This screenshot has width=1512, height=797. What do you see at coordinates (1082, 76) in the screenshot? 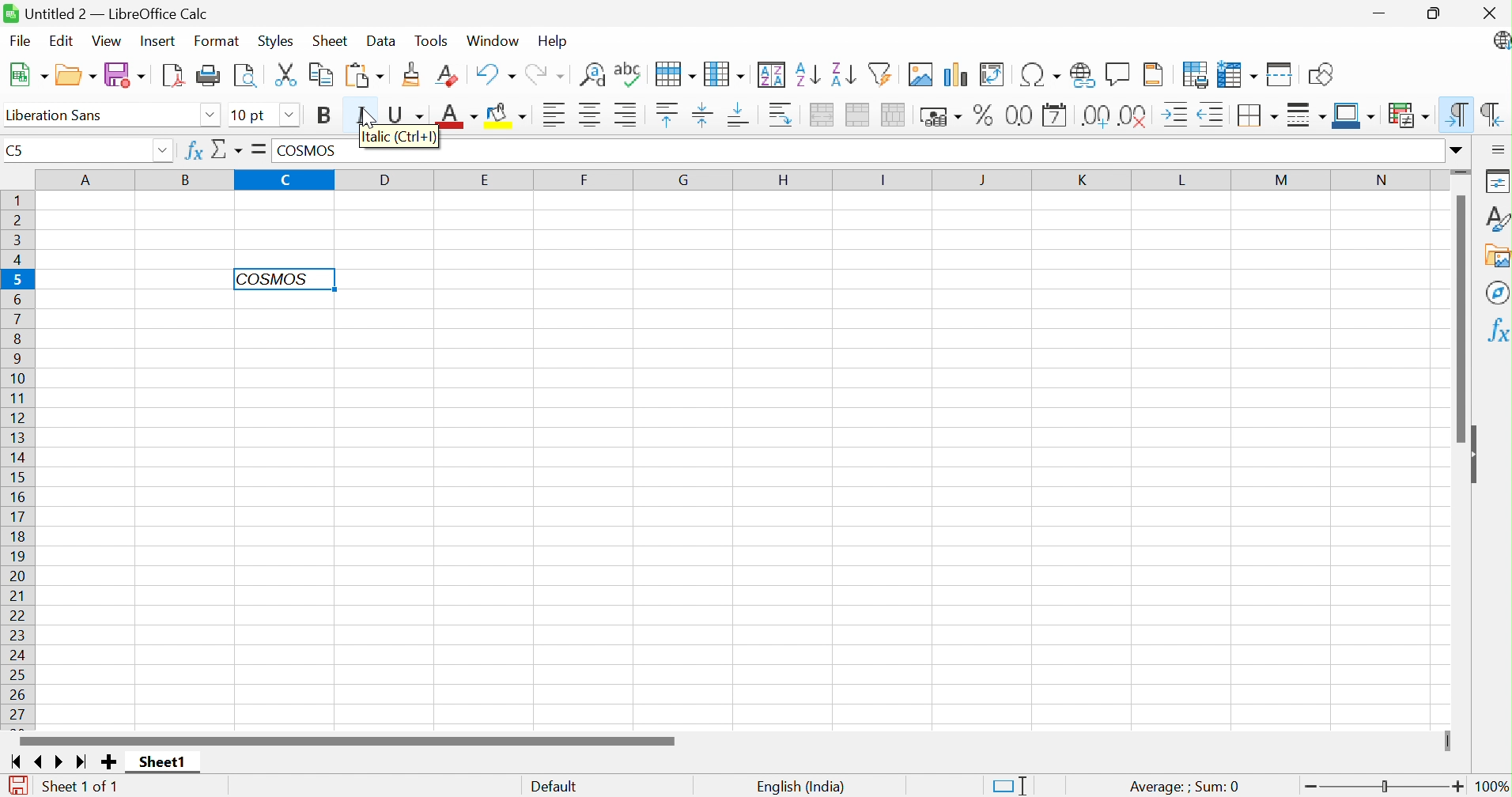
I see `Insert hyperlink` at bounding box center [1082, 76].